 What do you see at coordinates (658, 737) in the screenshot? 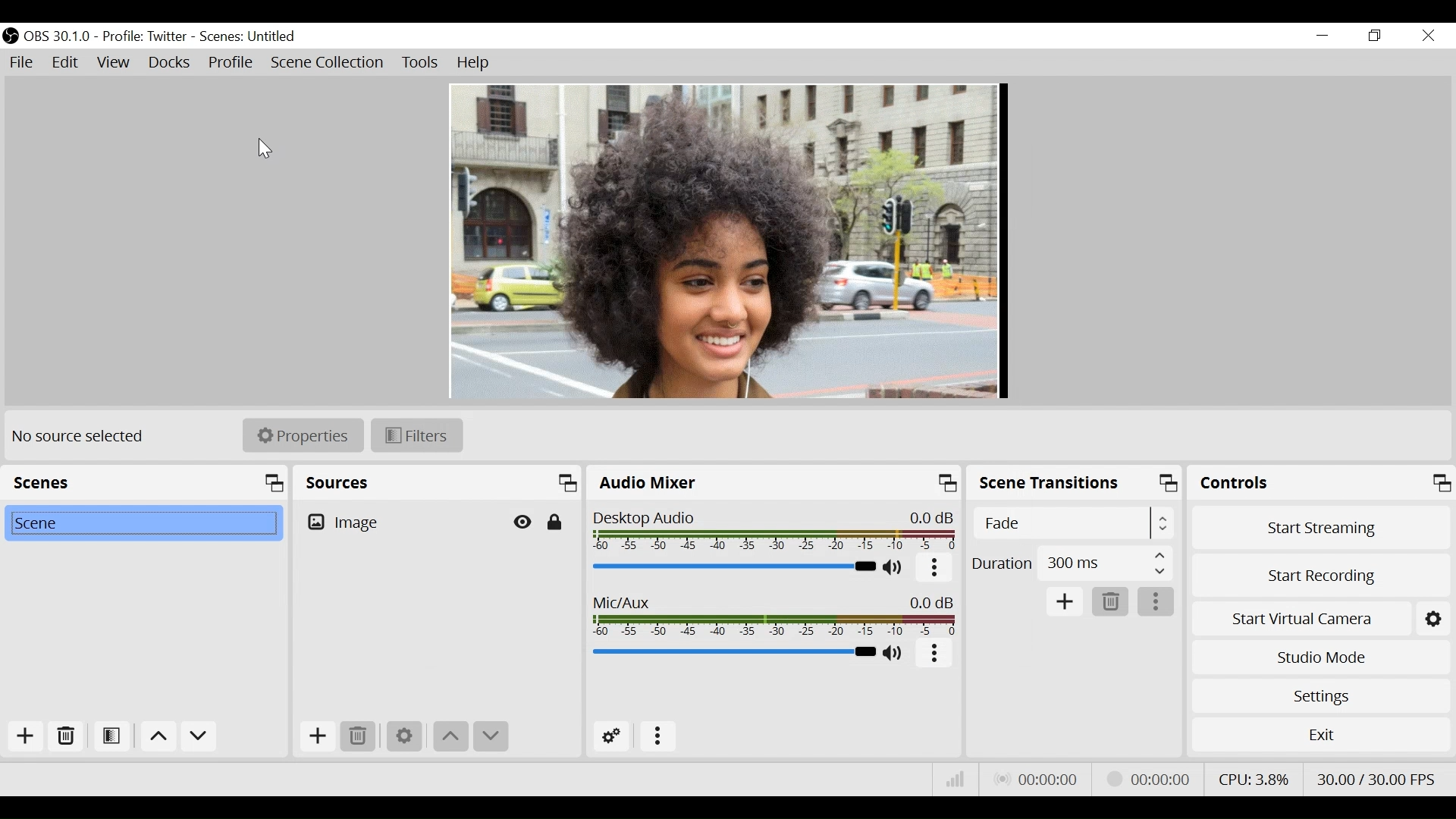
I see `More Options` at bounding box center [658, 737].